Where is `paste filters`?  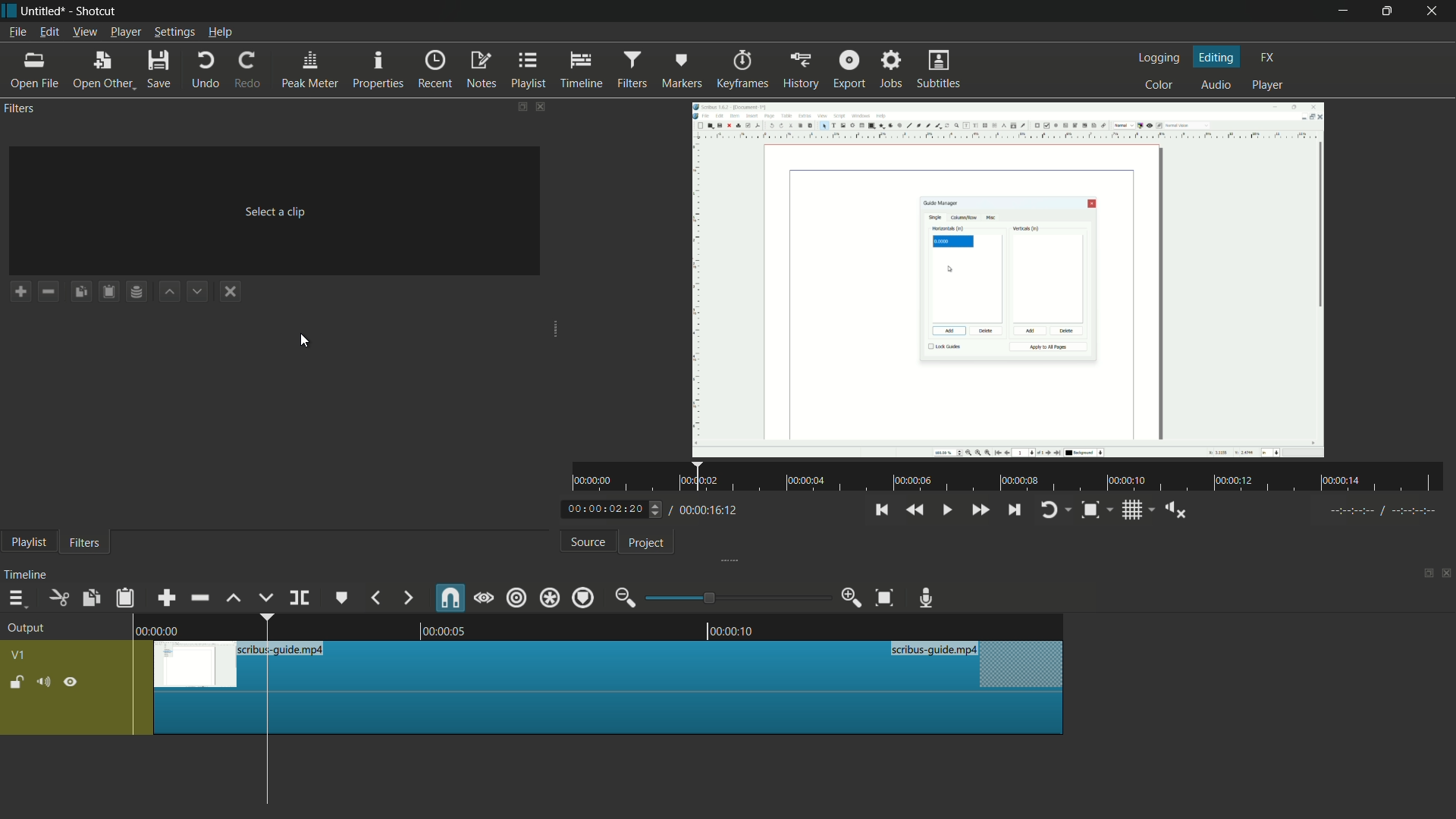 paste filters is located at coordinates (109, 292).